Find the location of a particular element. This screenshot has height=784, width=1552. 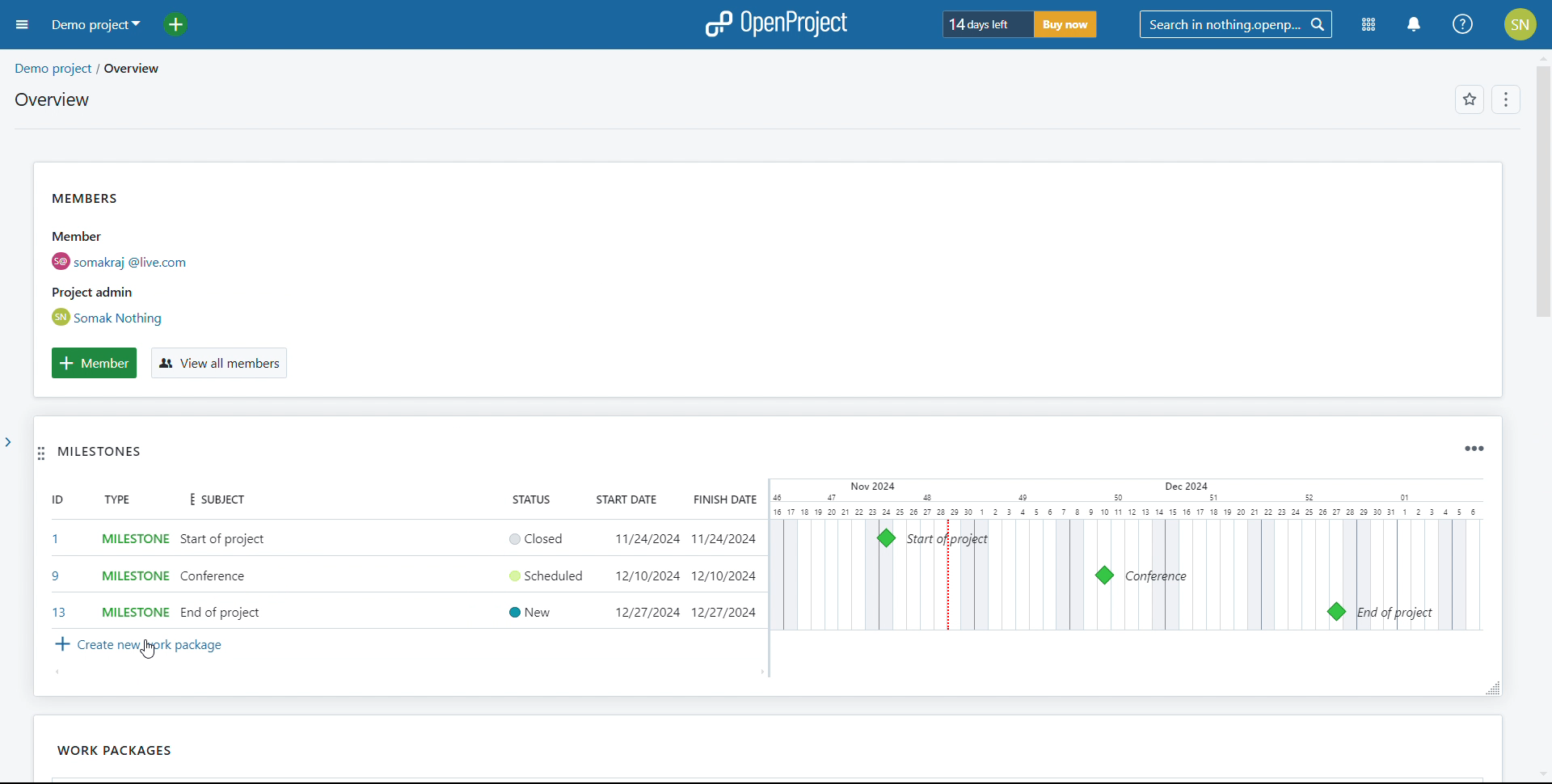

overview is located at coordinates (51, 99).